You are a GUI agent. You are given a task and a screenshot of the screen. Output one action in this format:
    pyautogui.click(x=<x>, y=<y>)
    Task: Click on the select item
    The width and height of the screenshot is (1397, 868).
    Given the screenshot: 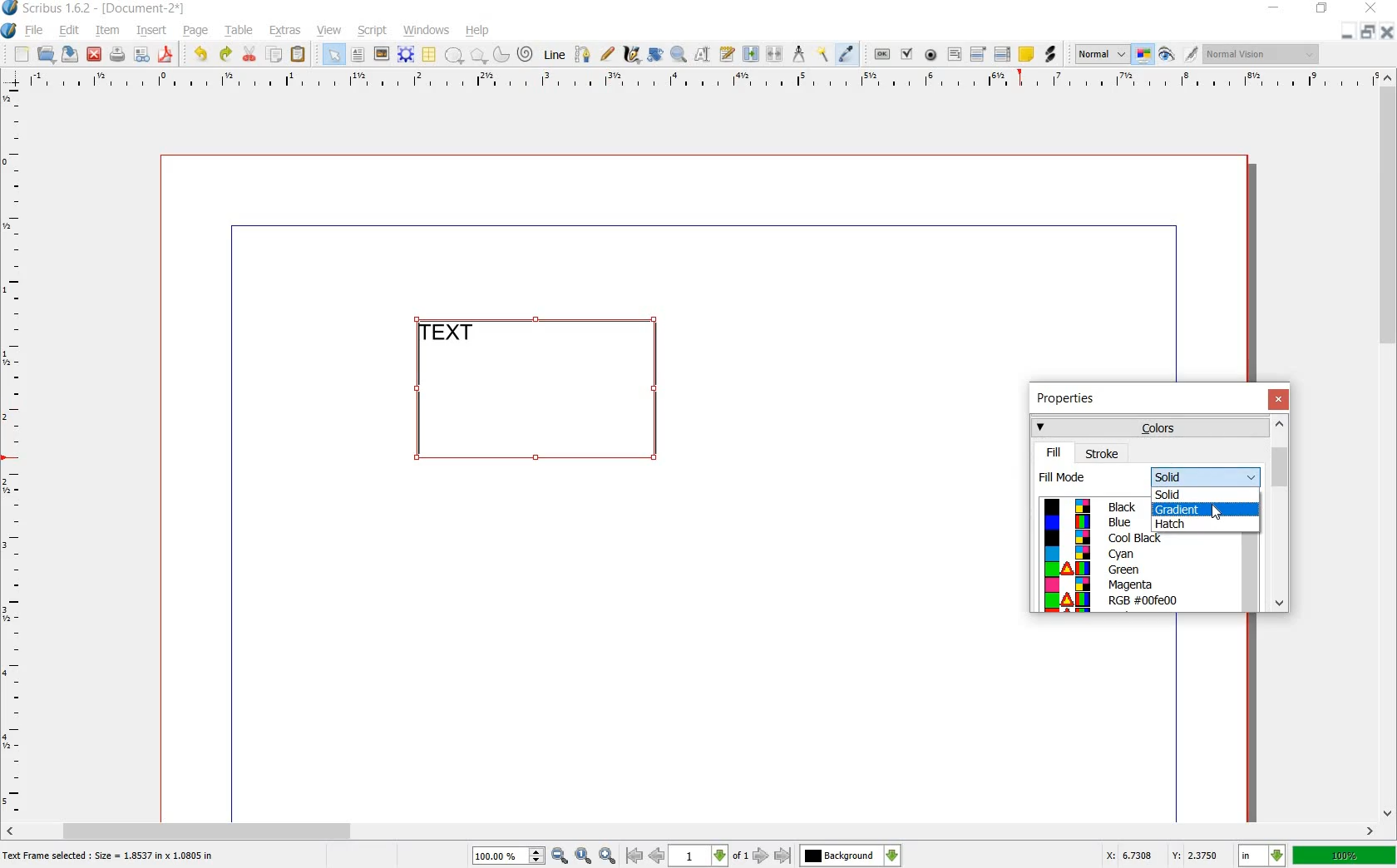 What is the action you would take?
    pyautogui.click(x=333, y=54)
    